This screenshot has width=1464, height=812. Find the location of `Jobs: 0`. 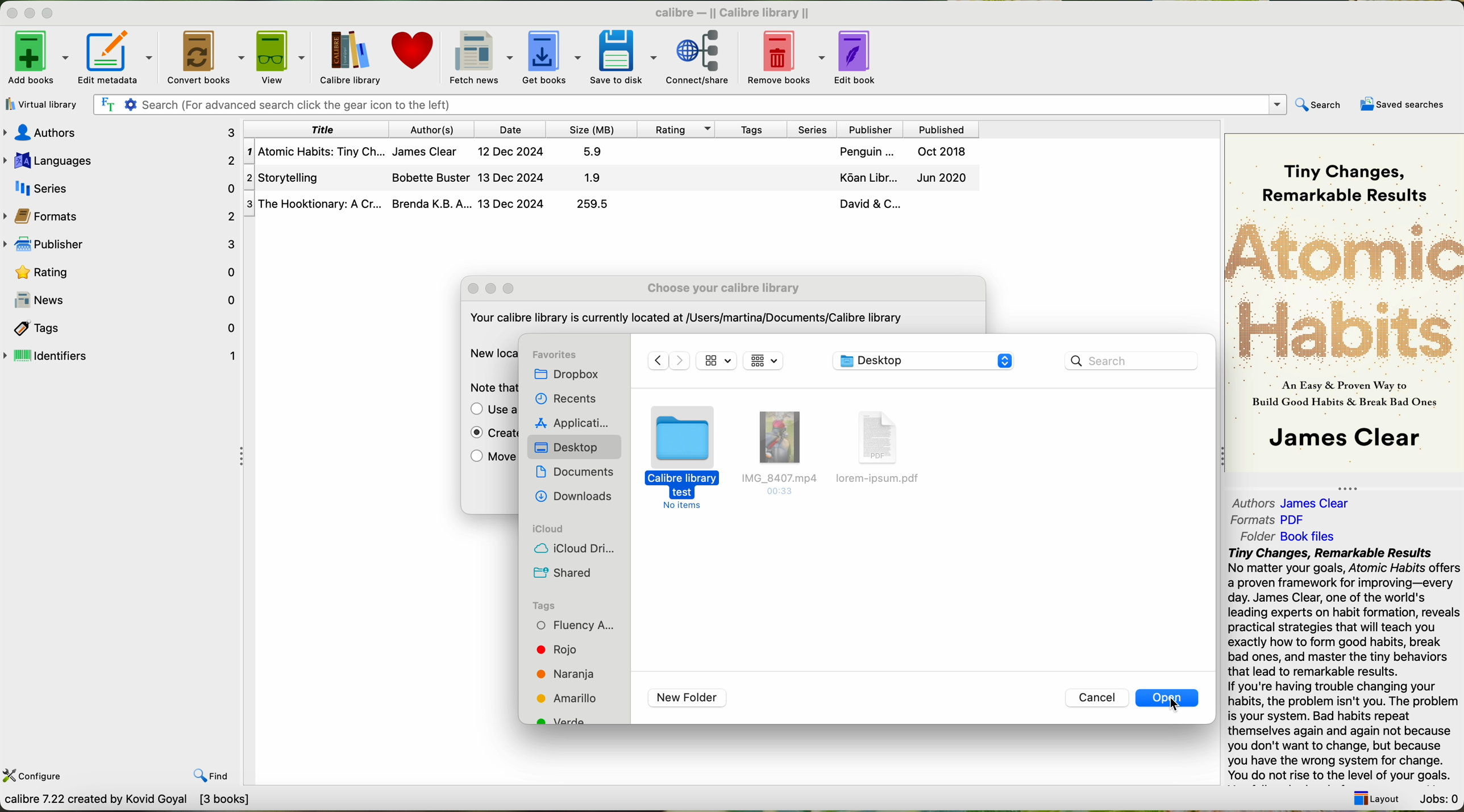

Jobs: 0 is located at coordinates (1437, 796).